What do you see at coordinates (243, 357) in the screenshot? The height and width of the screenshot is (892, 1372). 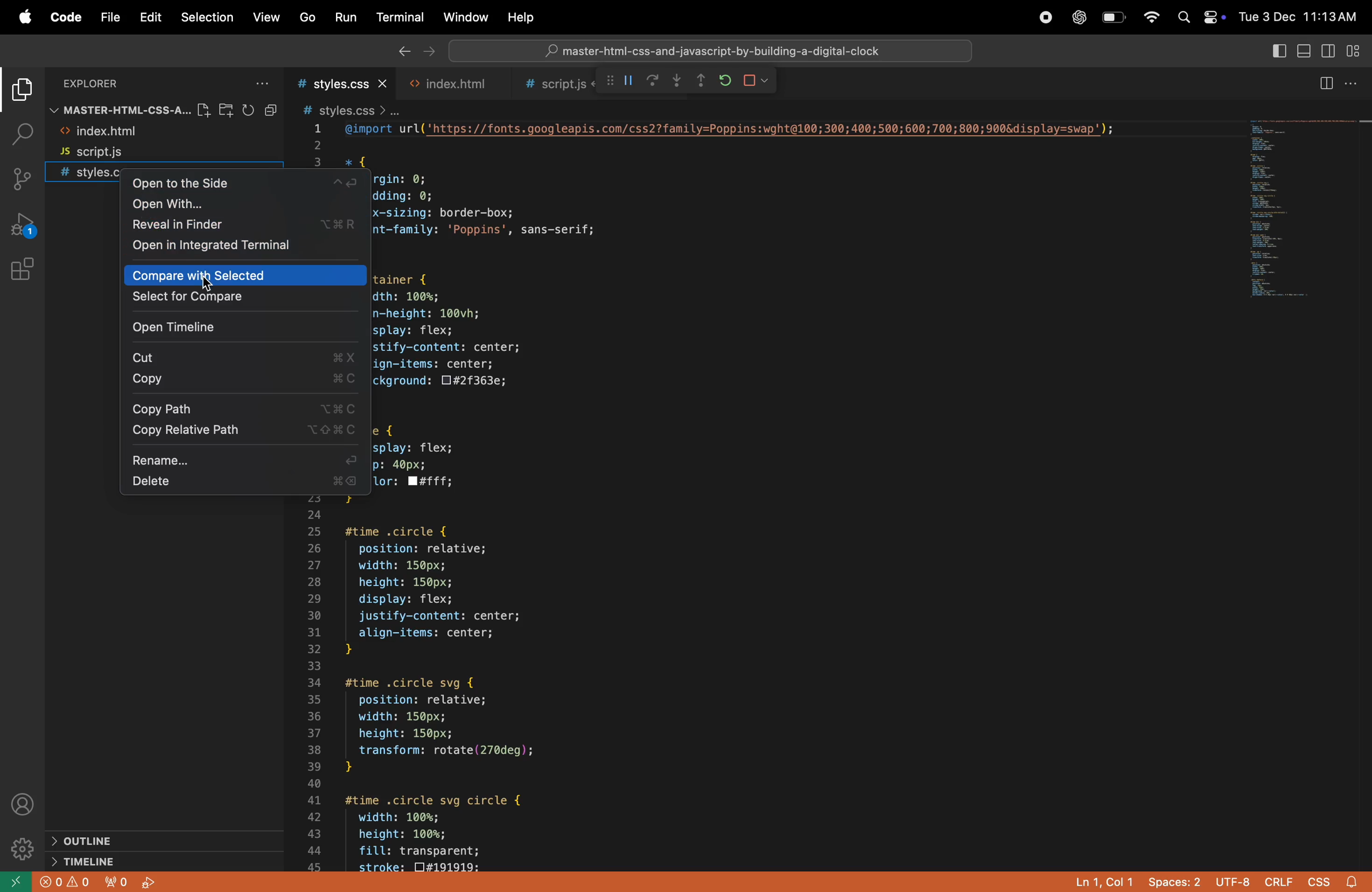 I see `cut` at bounding box center [243, 357].